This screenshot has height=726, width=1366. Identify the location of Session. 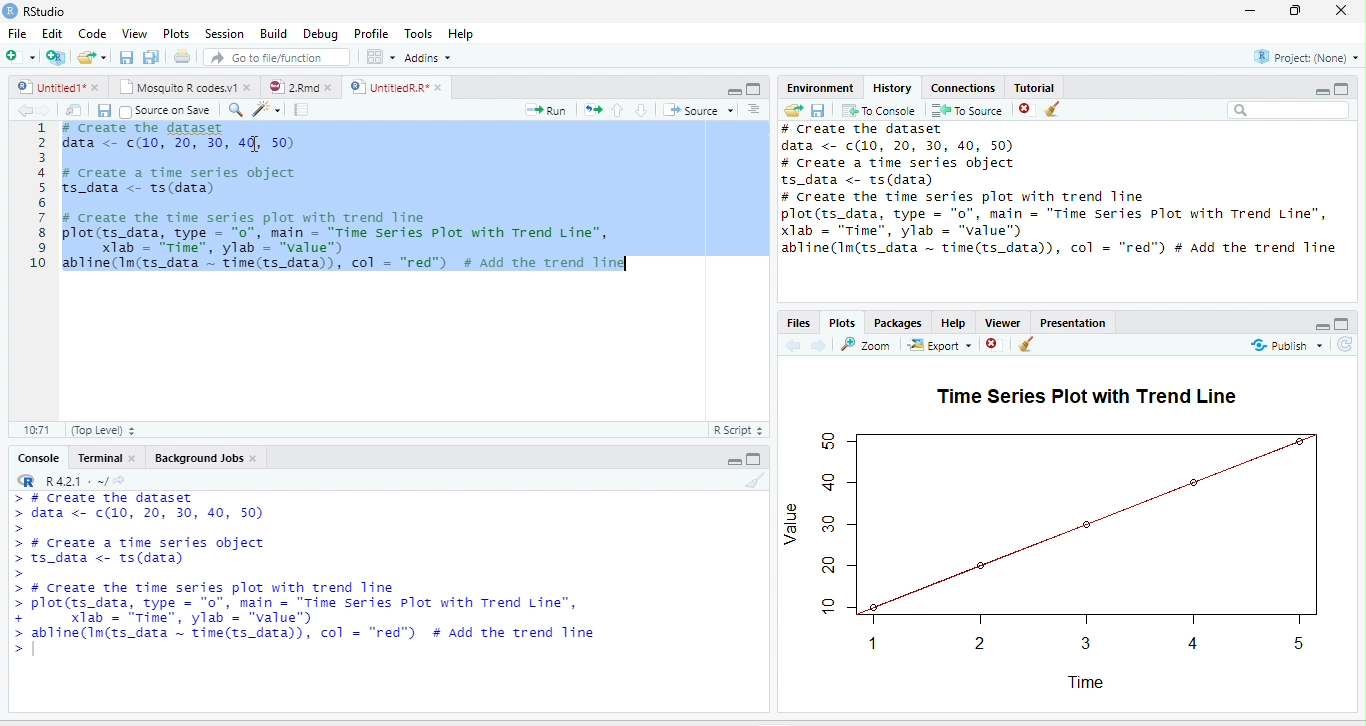
(225, 33).